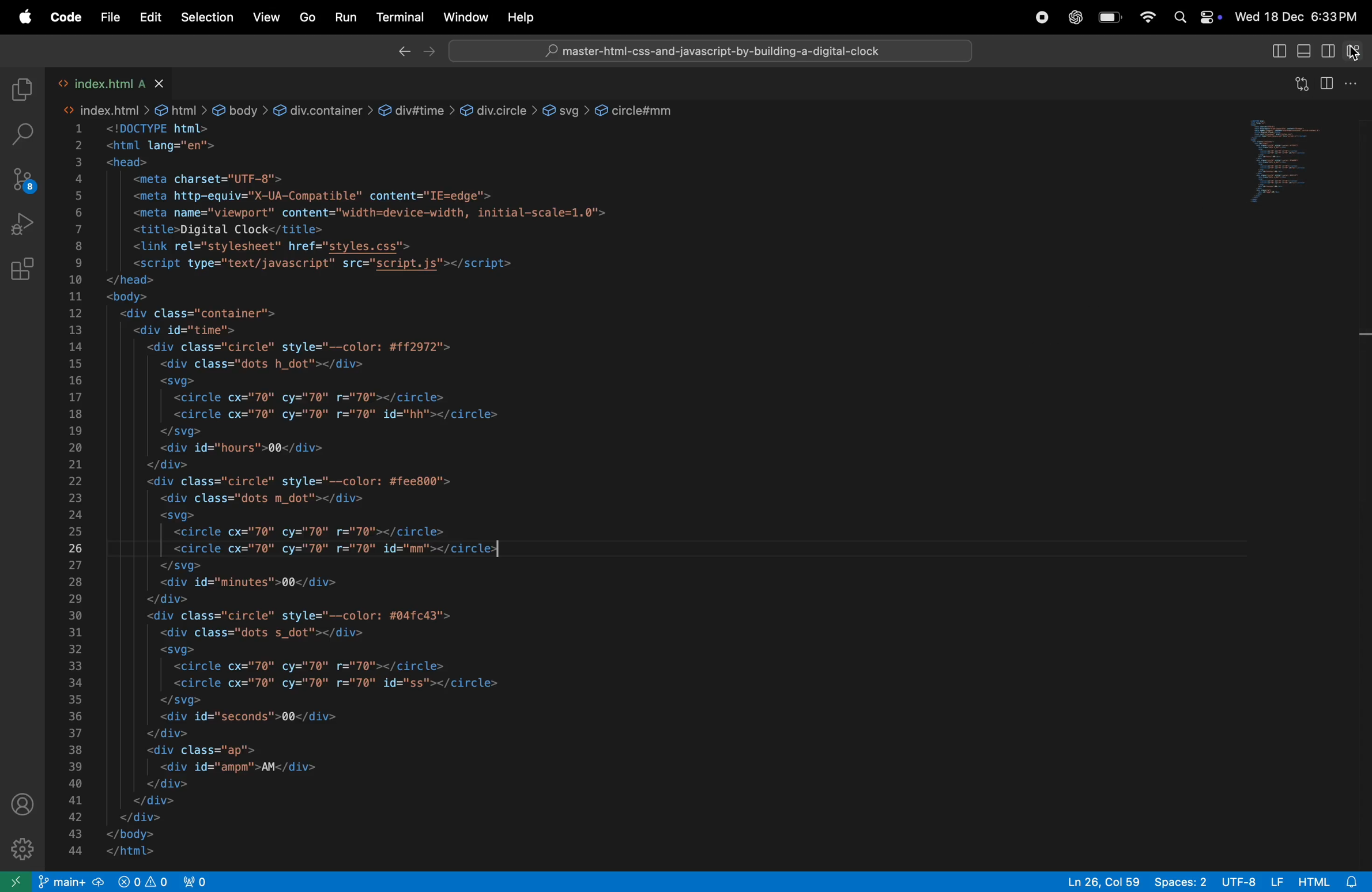  I want to click on git main repo, so click(72, 882).